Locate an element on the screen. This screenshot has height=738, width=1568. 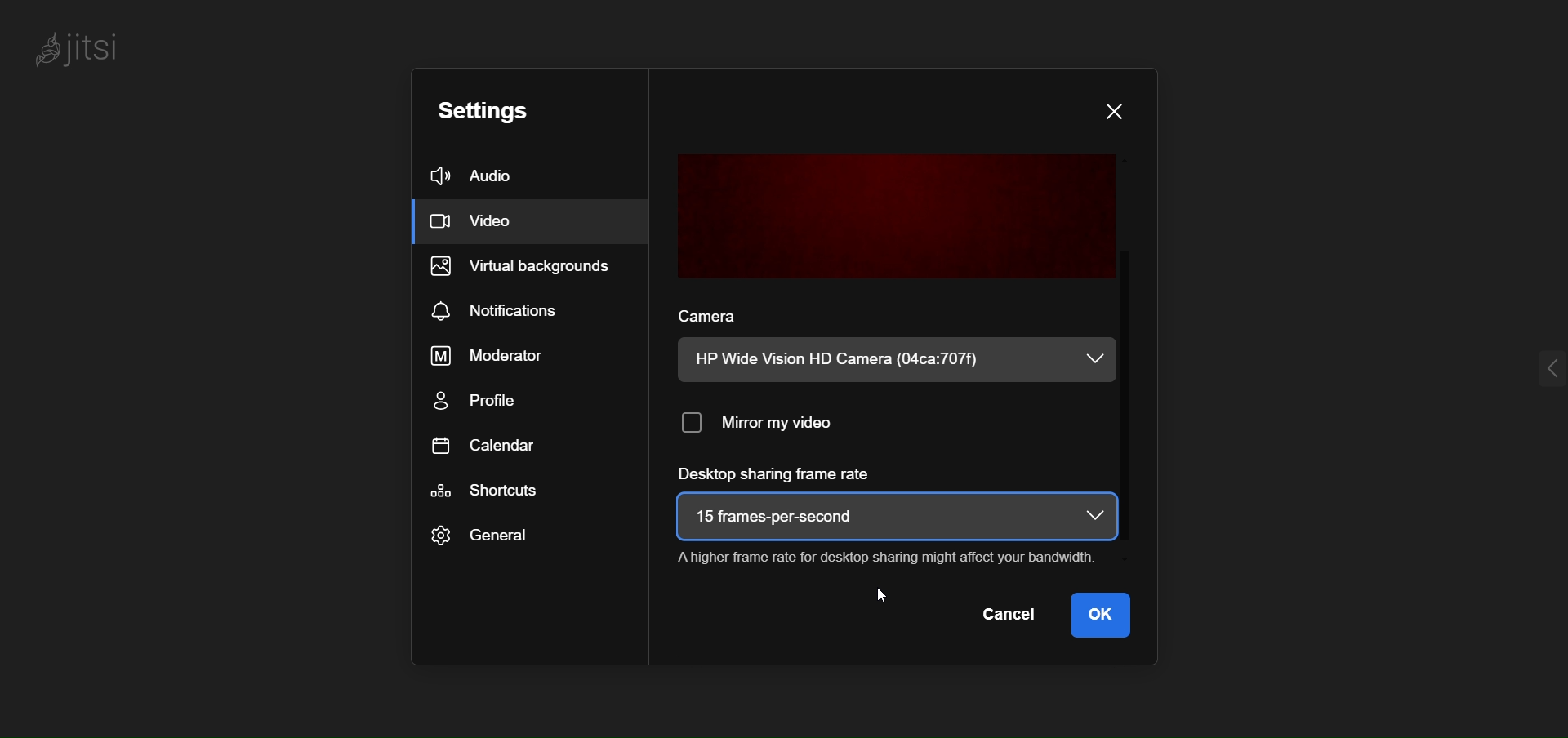
notification is located at coordinates (505, 309).